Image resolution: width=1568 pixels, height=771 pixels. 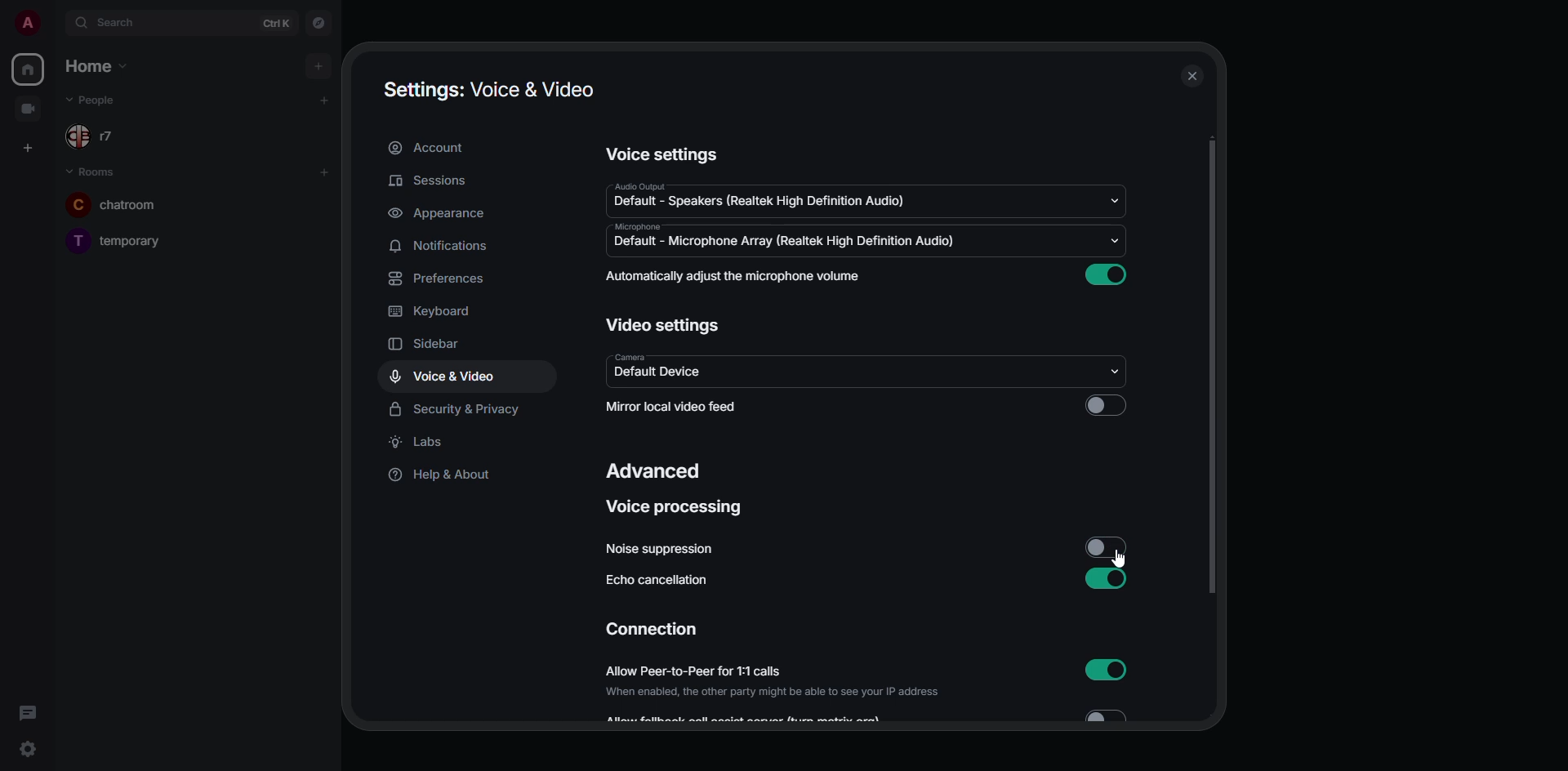 I want to click on disabled, so click(x=1108, y=548).